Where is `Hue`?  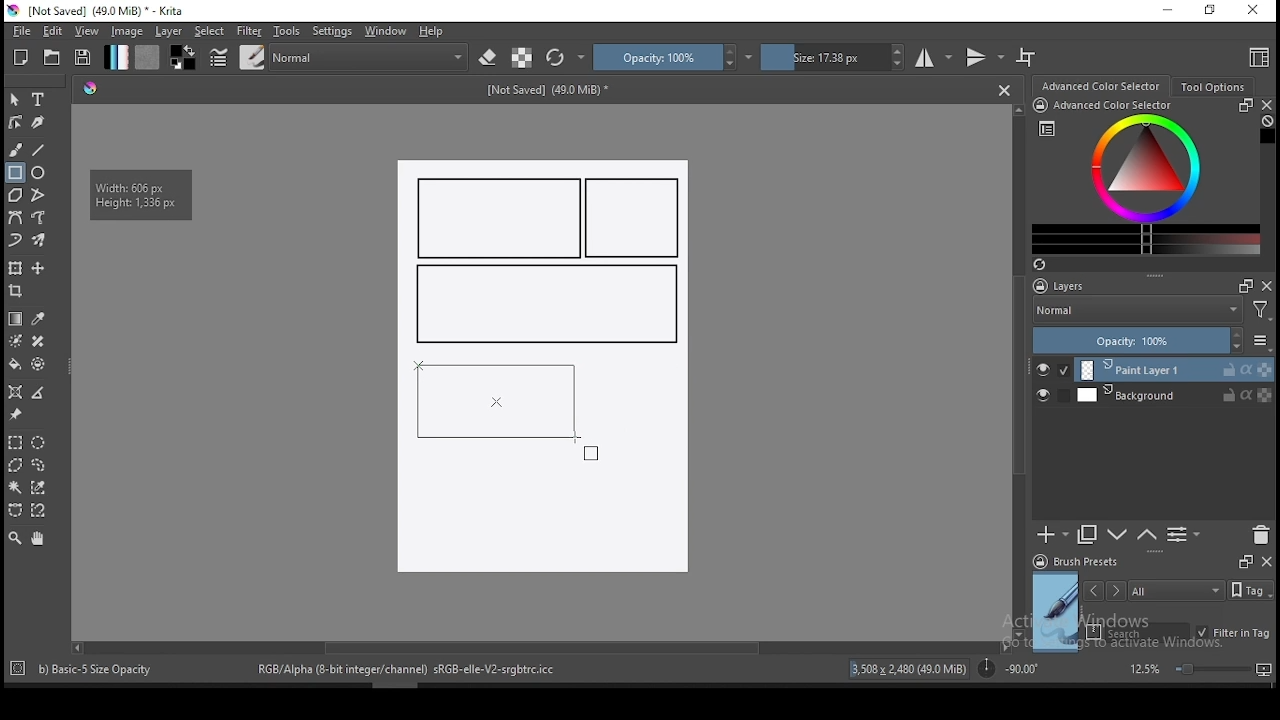
Hue is located at coordinates (90, 88).